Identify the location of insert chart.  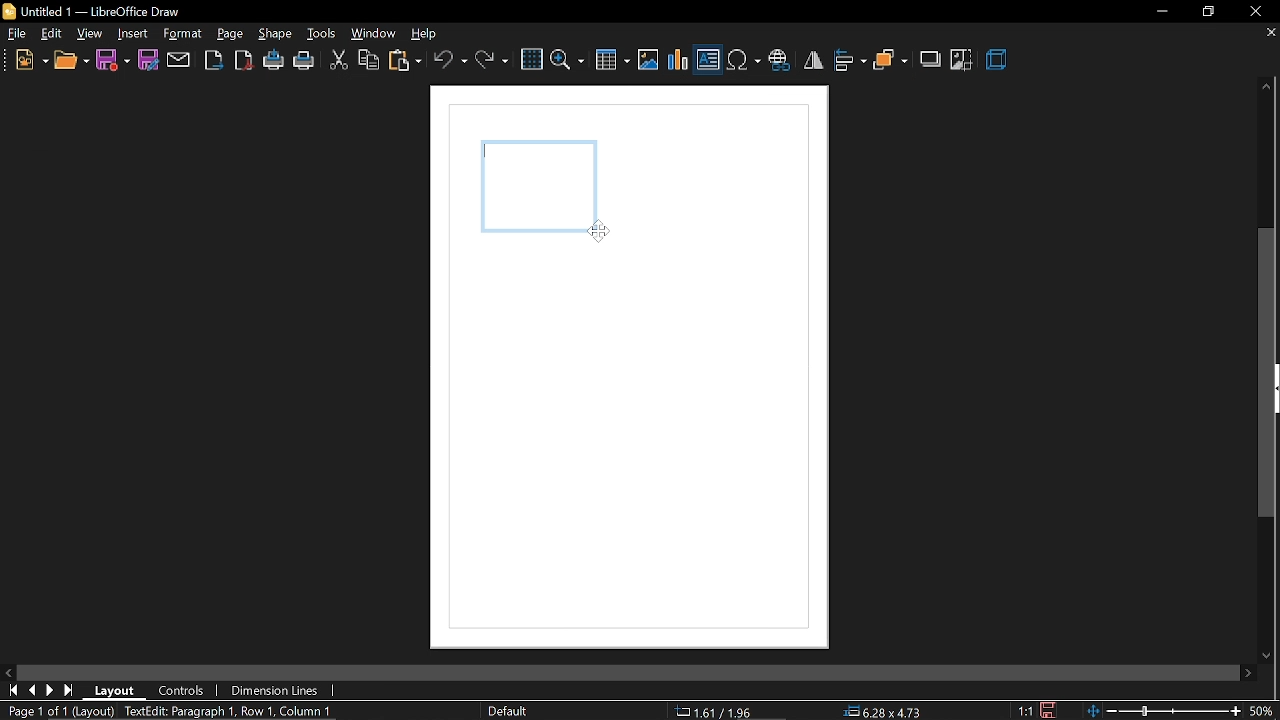
(679, 60).